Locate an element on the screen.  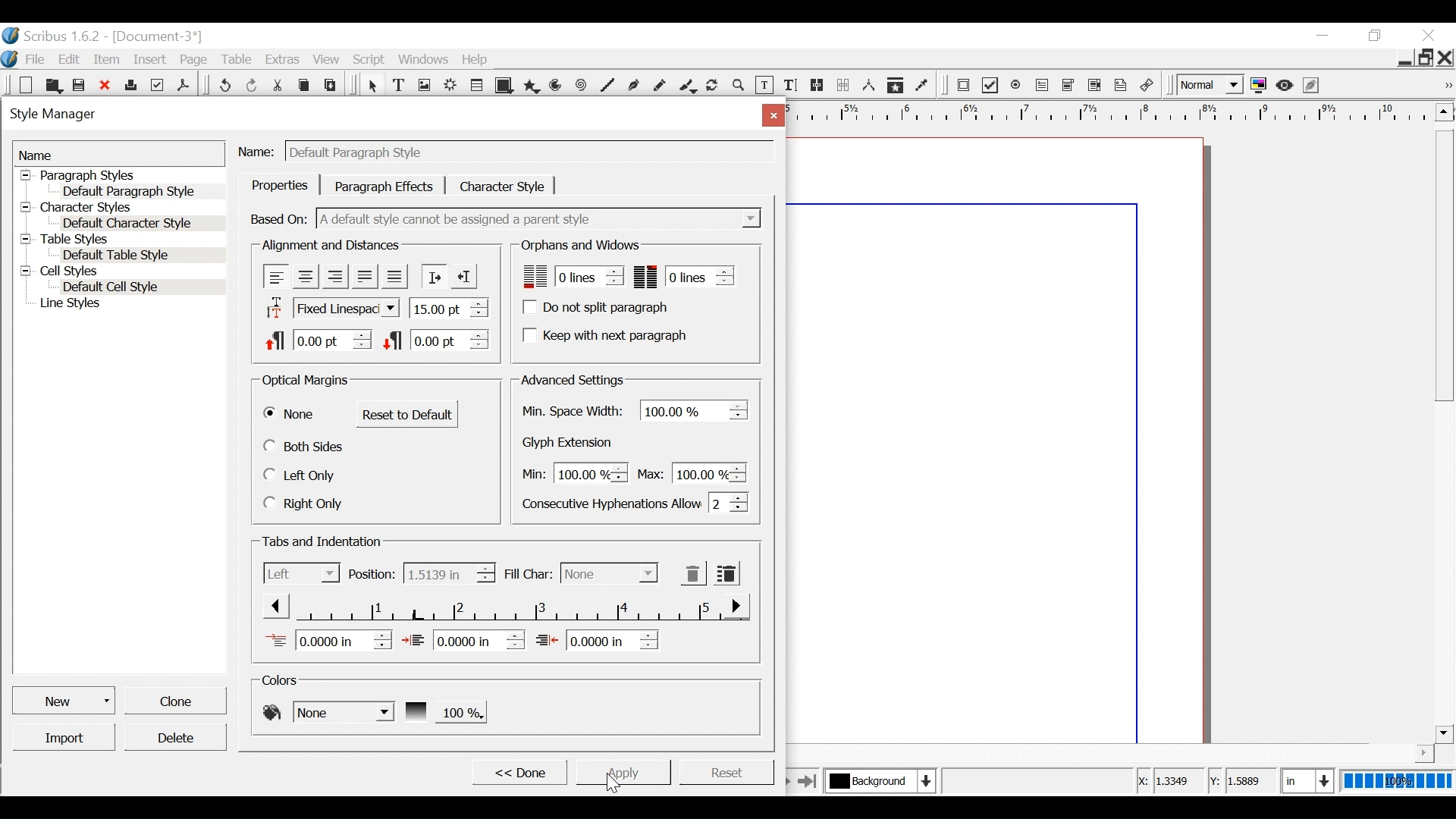
Align Right is located at coordinates (334, 276).